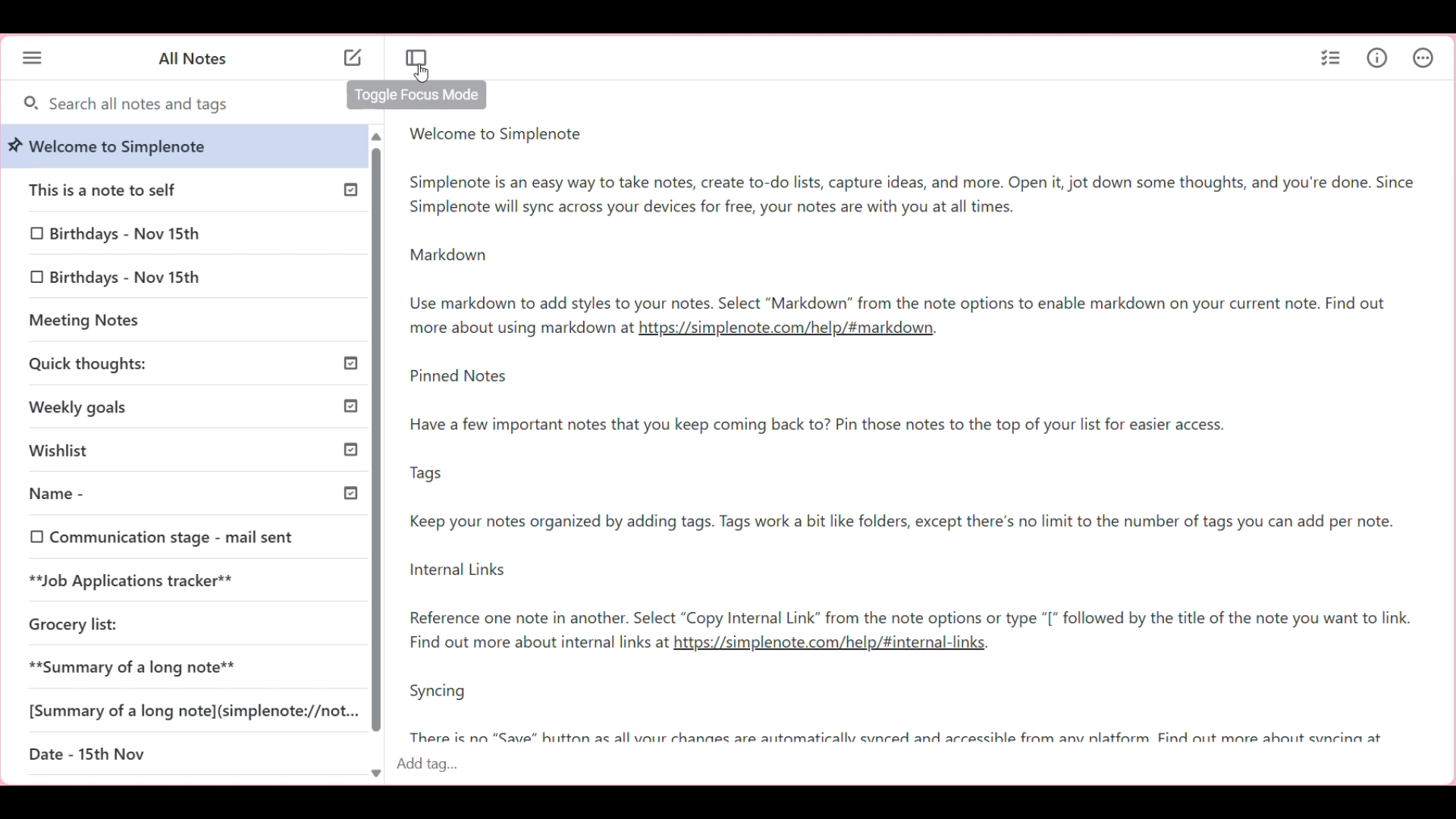 Image resolution: width=1456 pixels, height=819 pixels. I want to click on Published, so click(351, 187).